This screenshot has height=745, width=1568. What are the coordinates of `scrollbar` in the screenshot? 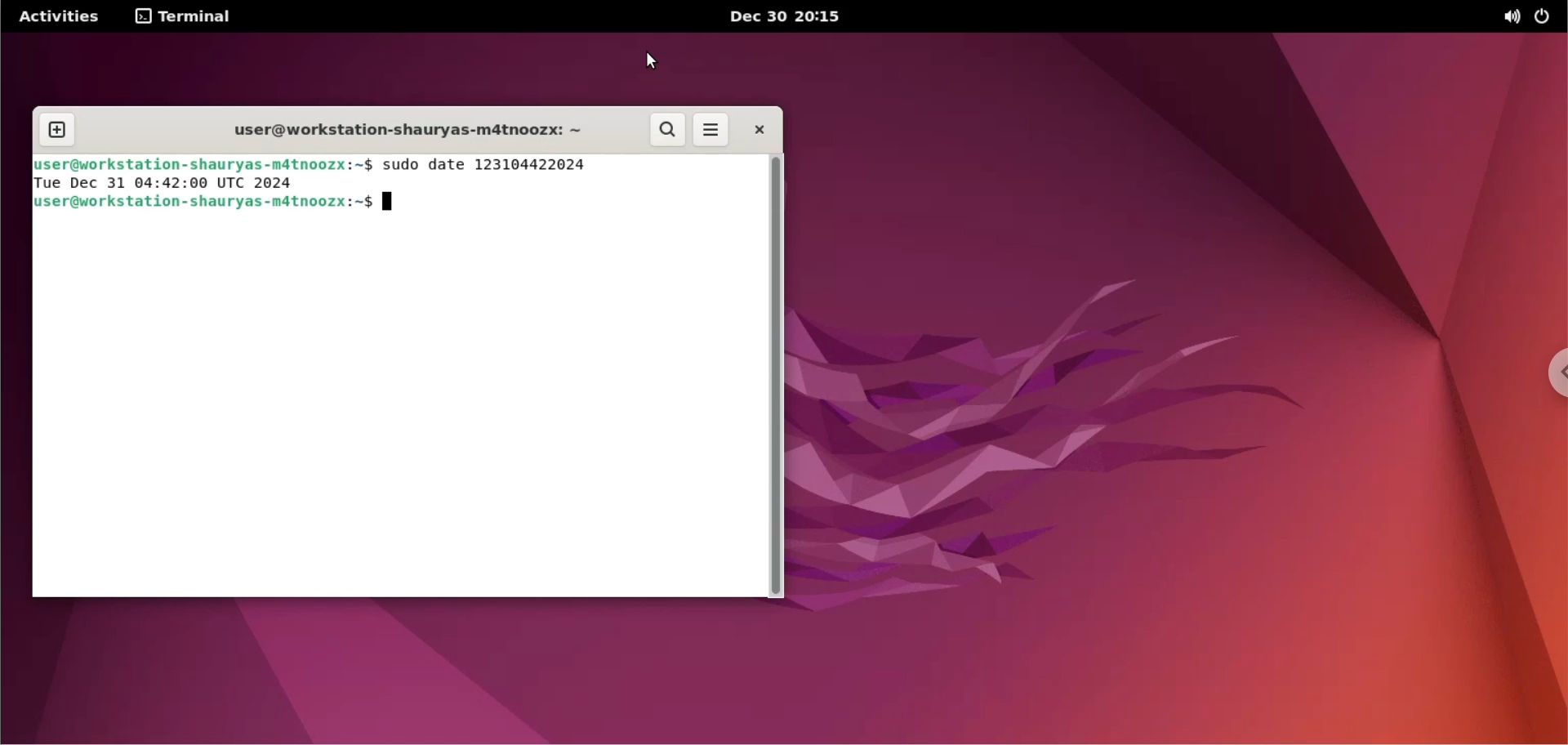 It's located at (775, 377).